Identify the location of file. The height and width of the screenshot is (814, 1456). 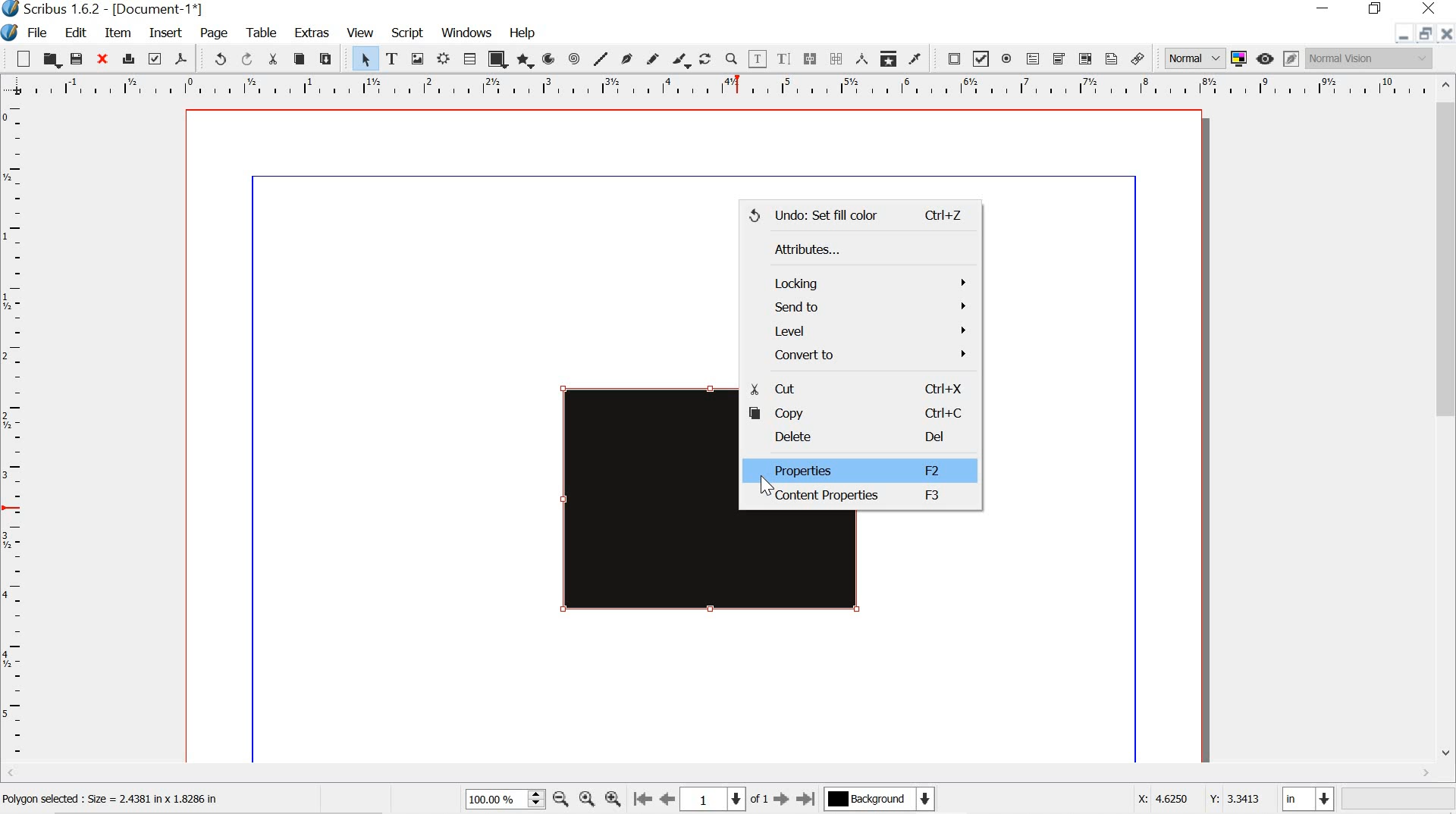
(42, 33).